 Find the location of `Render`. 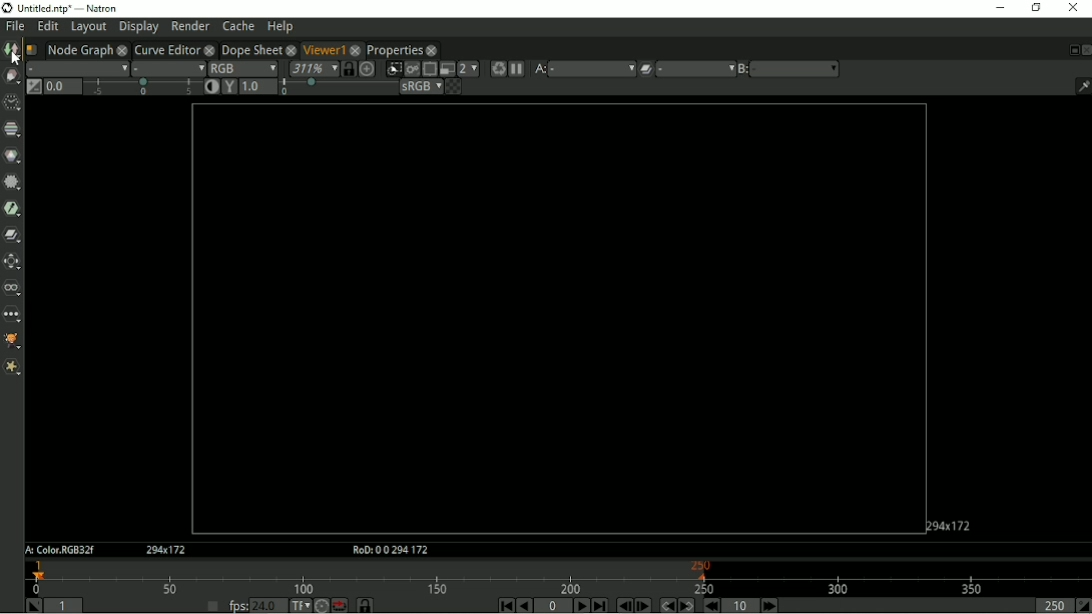

Render is located at coordinates (190, 26).